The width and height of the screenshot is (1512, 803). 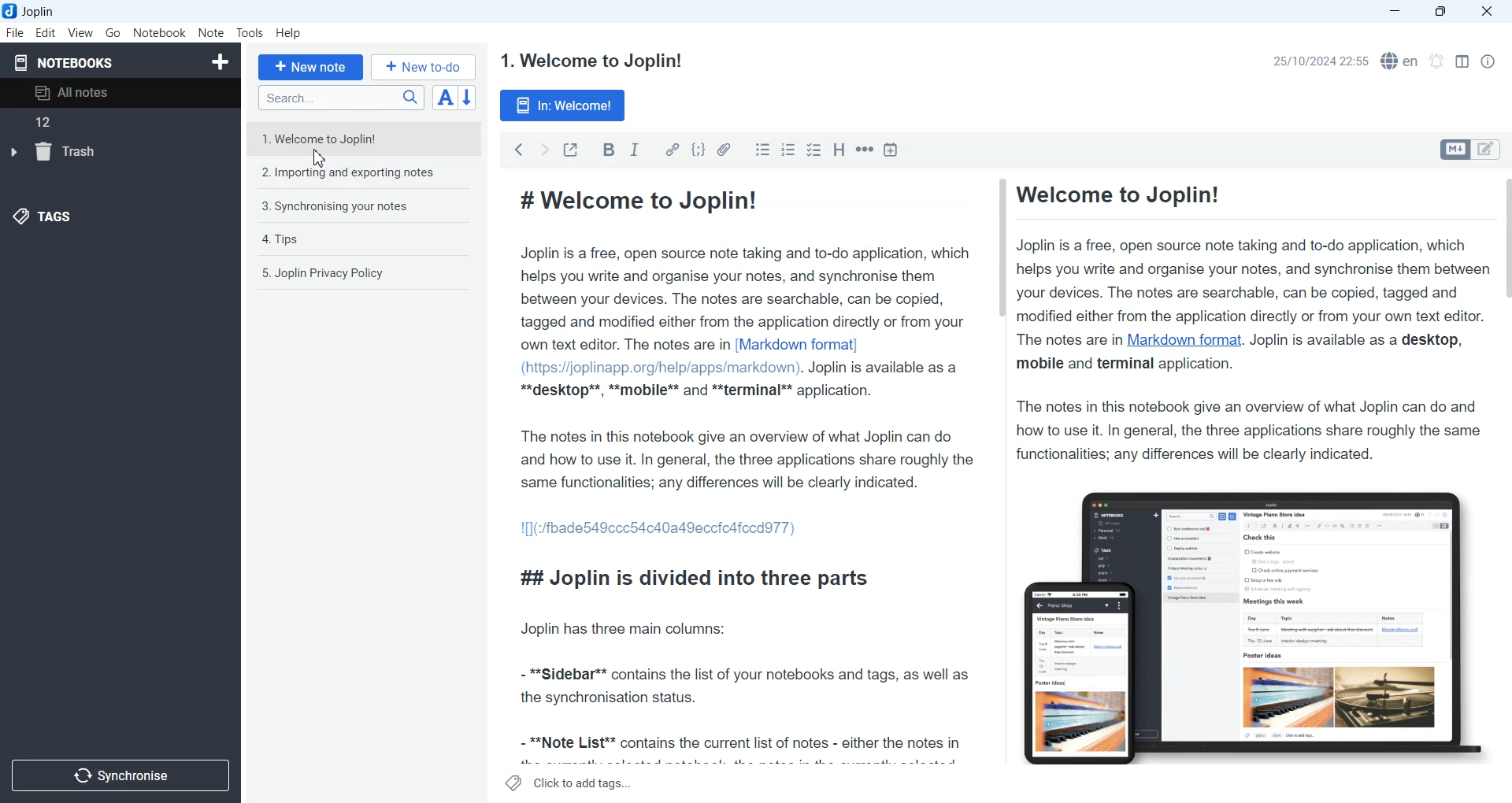 What do you see at coordinates (323, 157) in the screenshot?
I see `Cursor` at bounding box center [323, 157].